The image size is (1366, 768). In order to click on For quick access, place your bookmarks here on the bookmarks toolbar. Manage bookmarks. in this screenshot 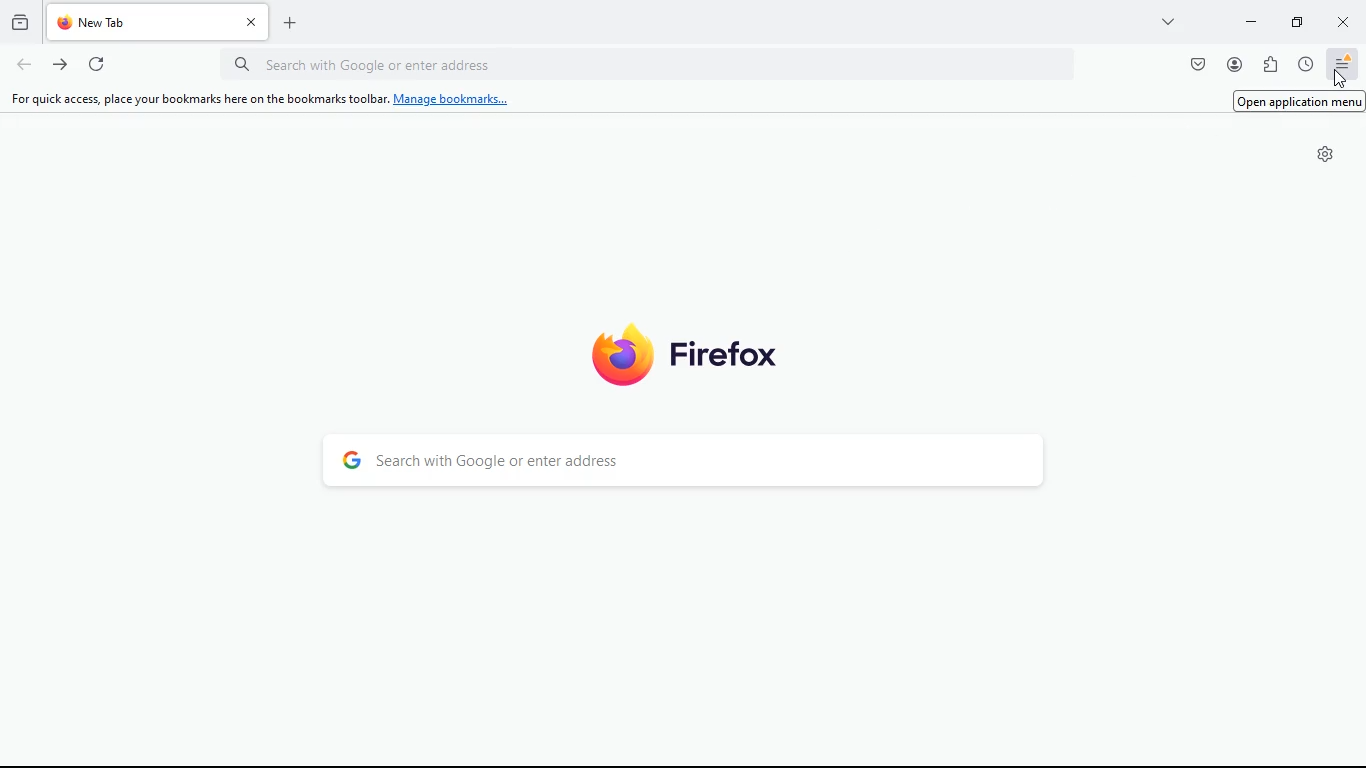, I will do `click(261, 99)`.